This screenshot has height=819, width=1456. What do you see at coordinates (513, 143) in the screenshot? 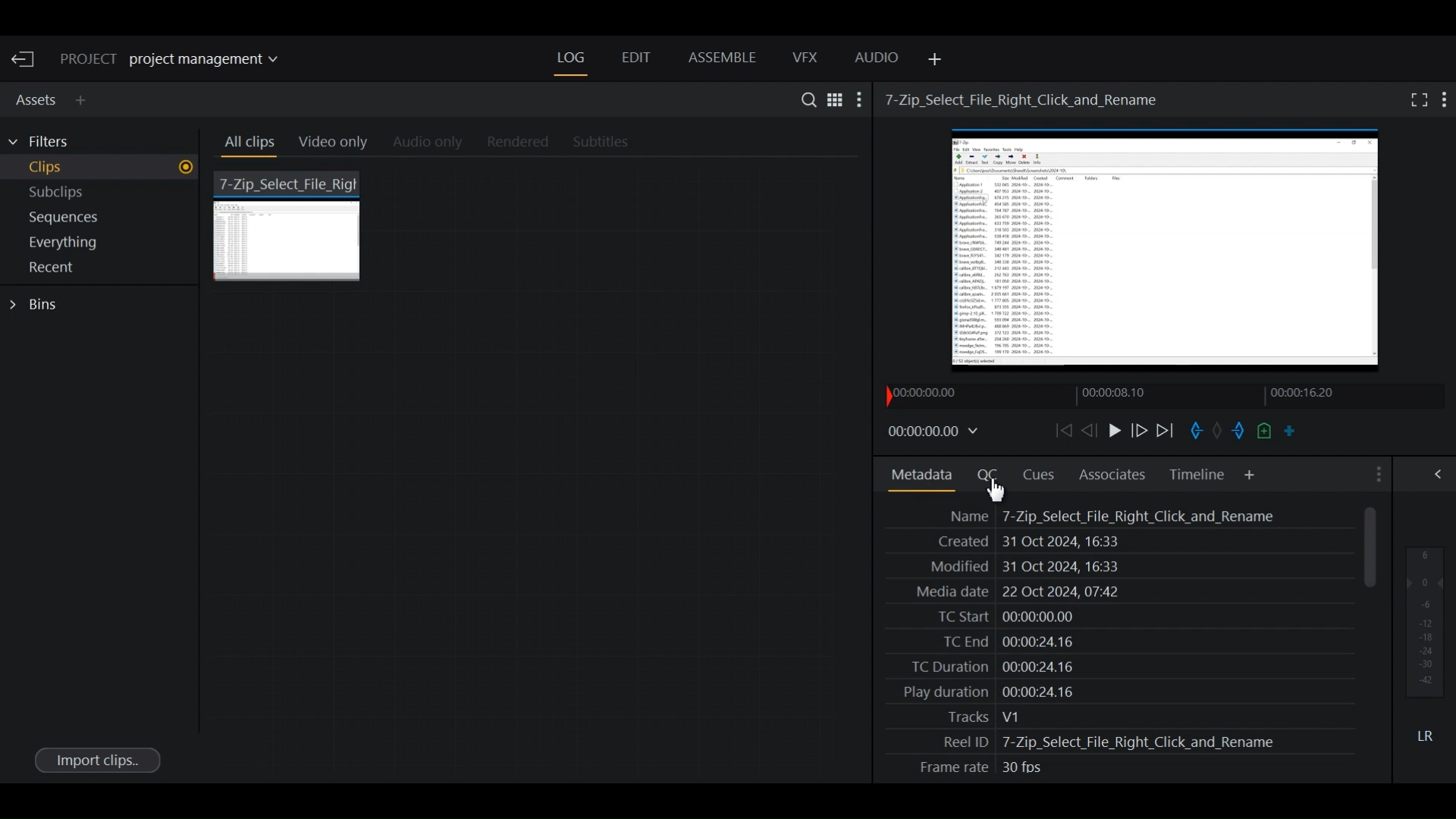
I see `Rendered` at bounding box center [513, 143].